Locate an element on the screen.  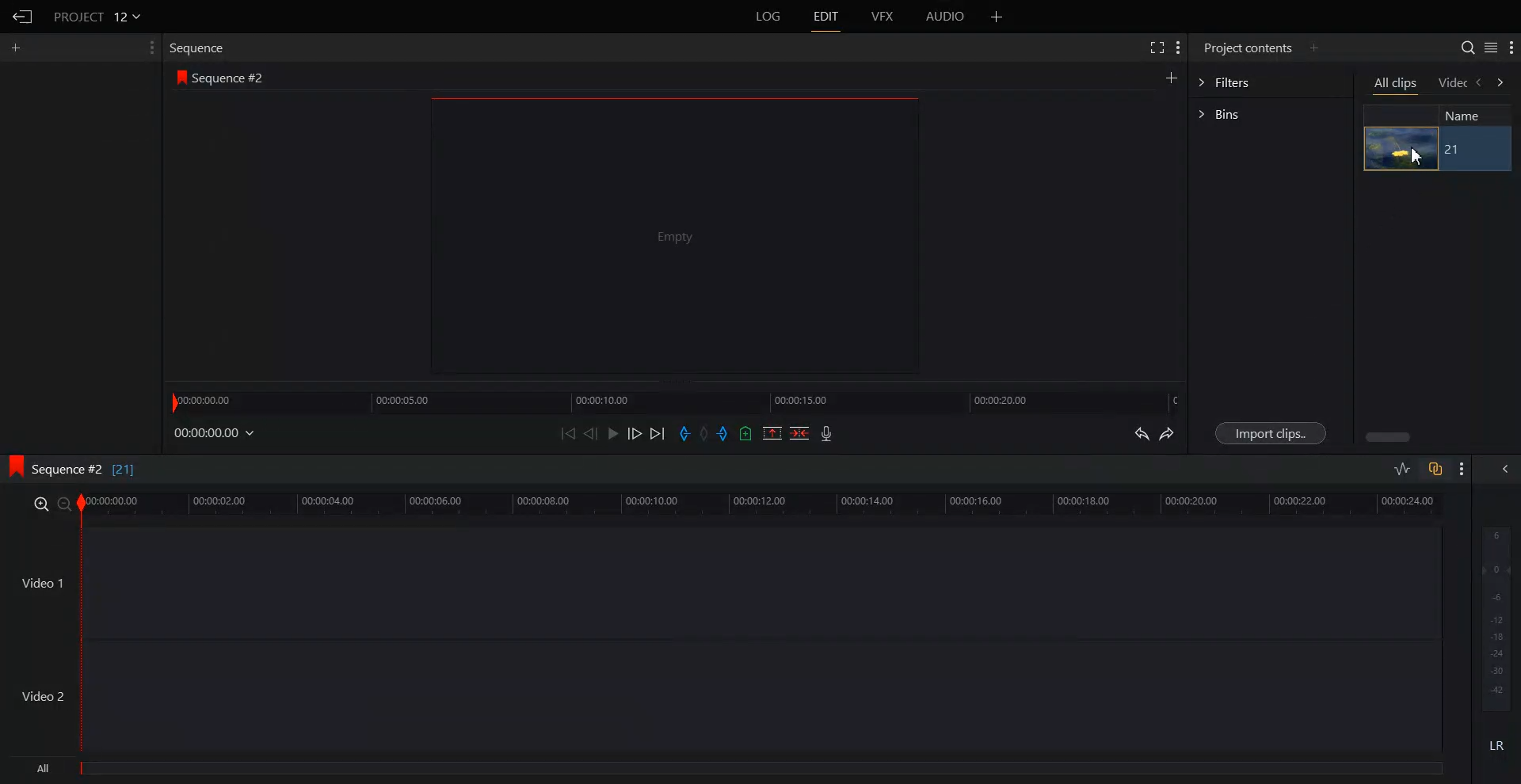
00:00:00.00  is located at coordinates (216, 432).